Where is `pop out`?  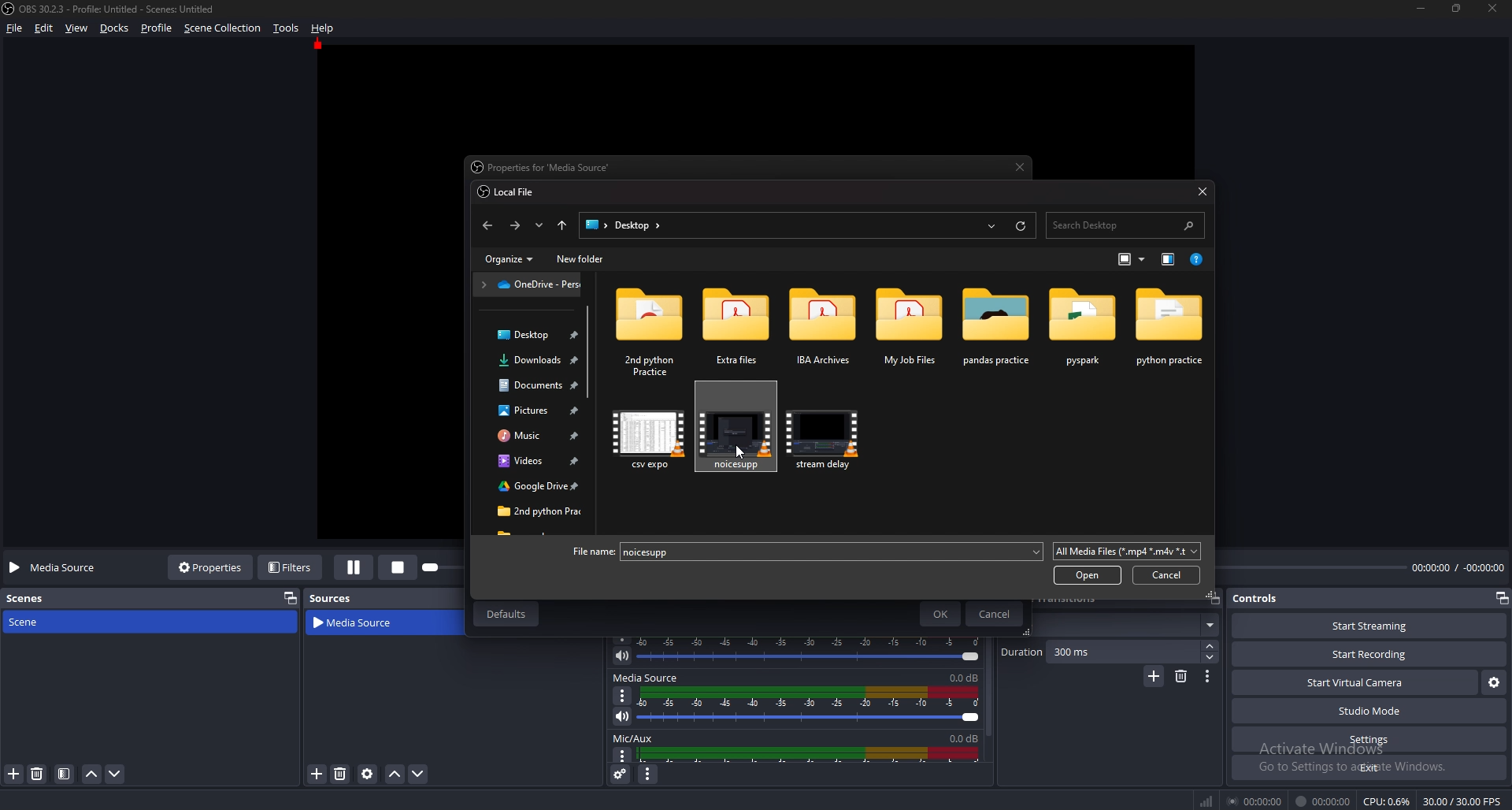 pop out is located at coordinates (287, 597).